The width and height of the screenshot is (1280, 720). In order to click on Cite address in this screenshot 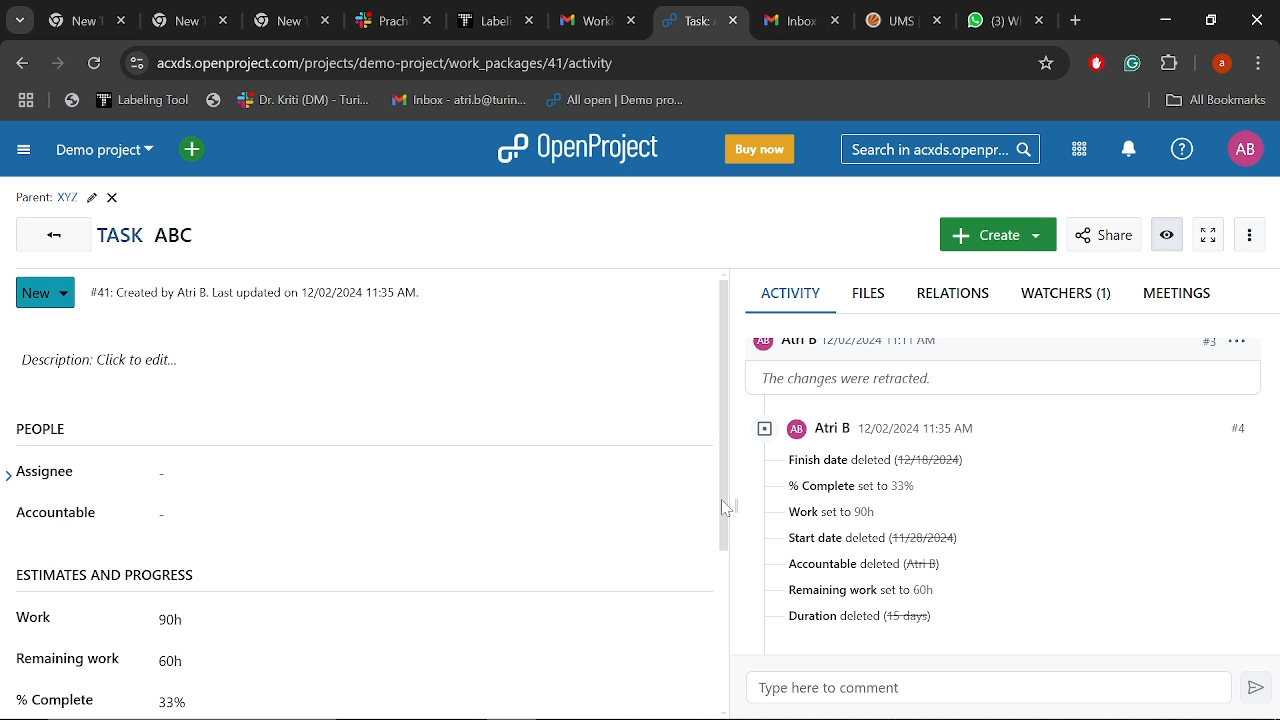, I will do `click(398, 64)`.